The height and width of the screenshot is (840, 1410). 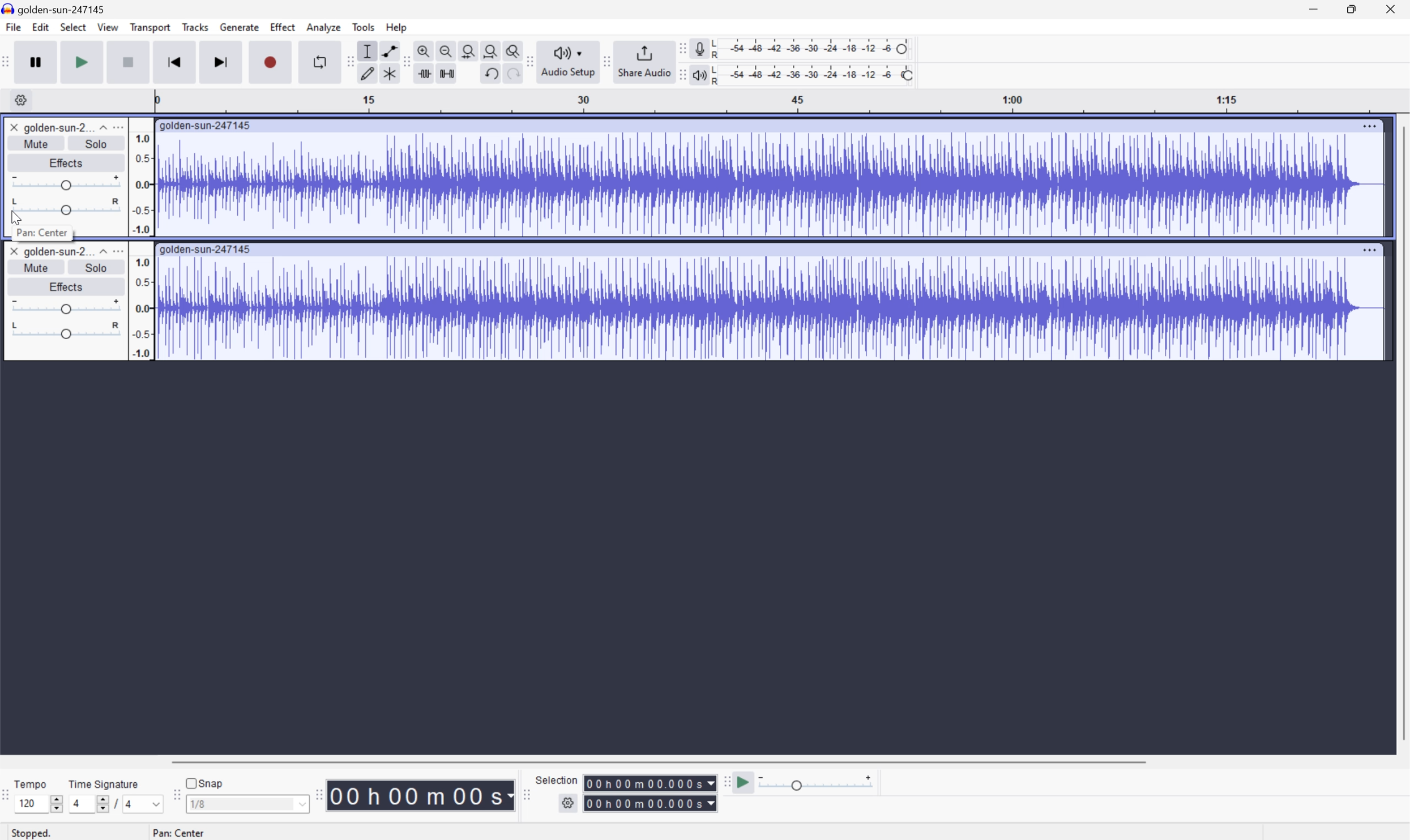 What do you see at coordinates (566, 59) in the screenshot?
I see `Audacity audio setup toolbar` at bounding box center [566, 59].